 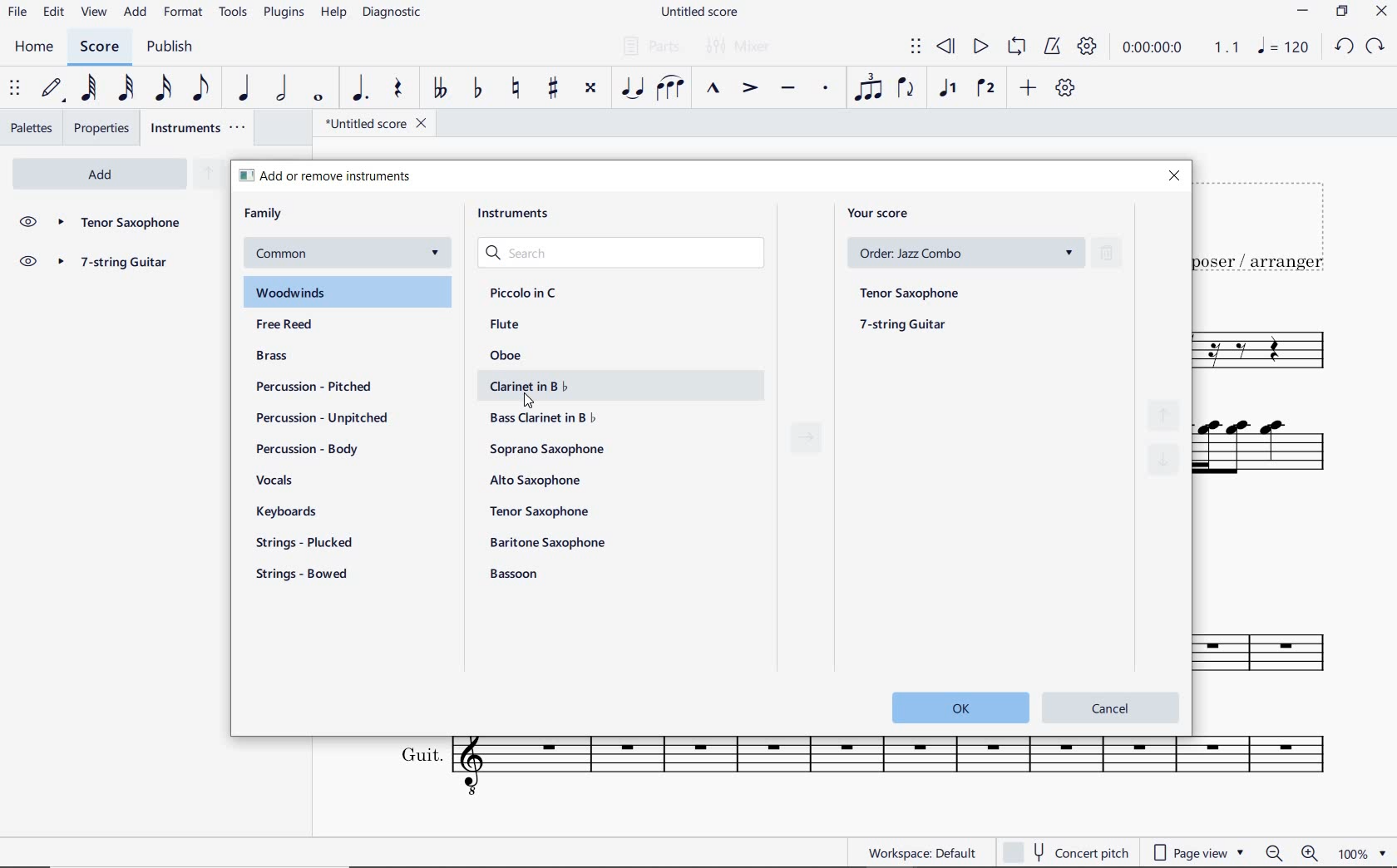 What do you see at coordinates (167, 47) in the screenshot?
I see `PUBLISH` at bounding box center [167, 47].